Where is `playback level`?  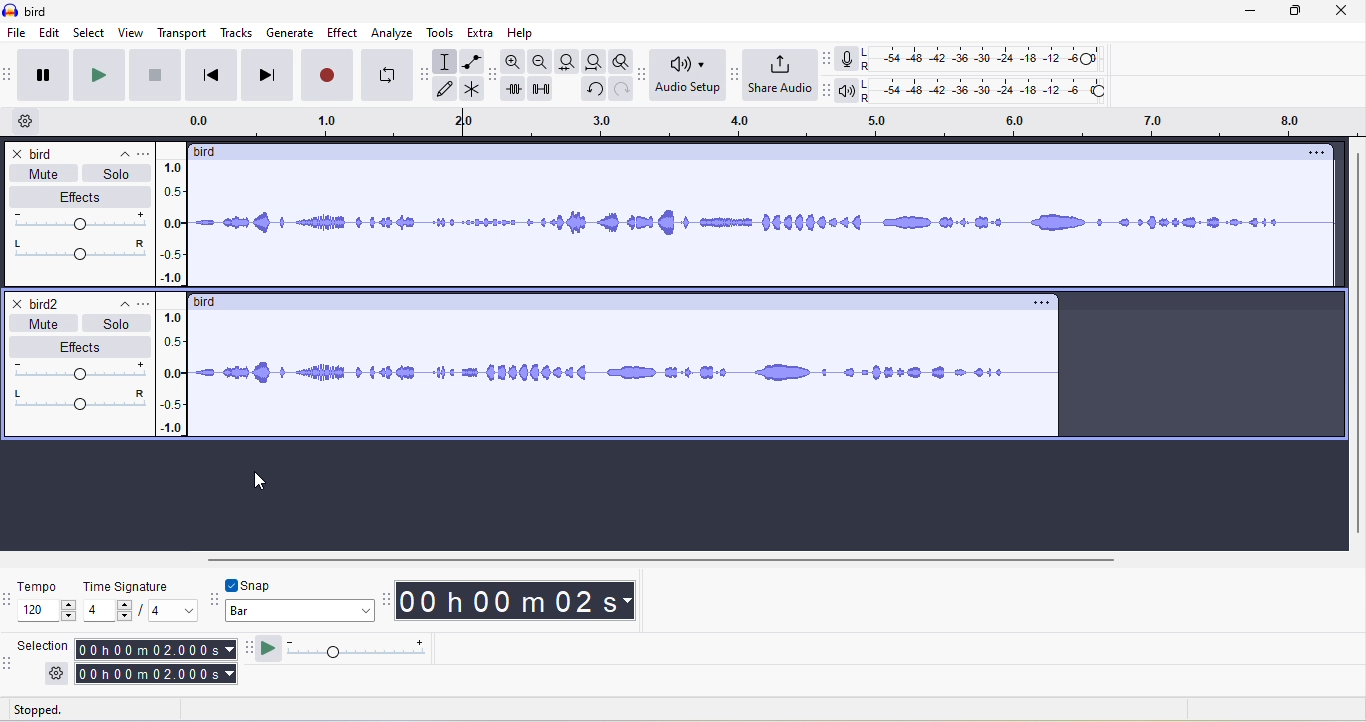 playback level is located at coordinates (989, 91).